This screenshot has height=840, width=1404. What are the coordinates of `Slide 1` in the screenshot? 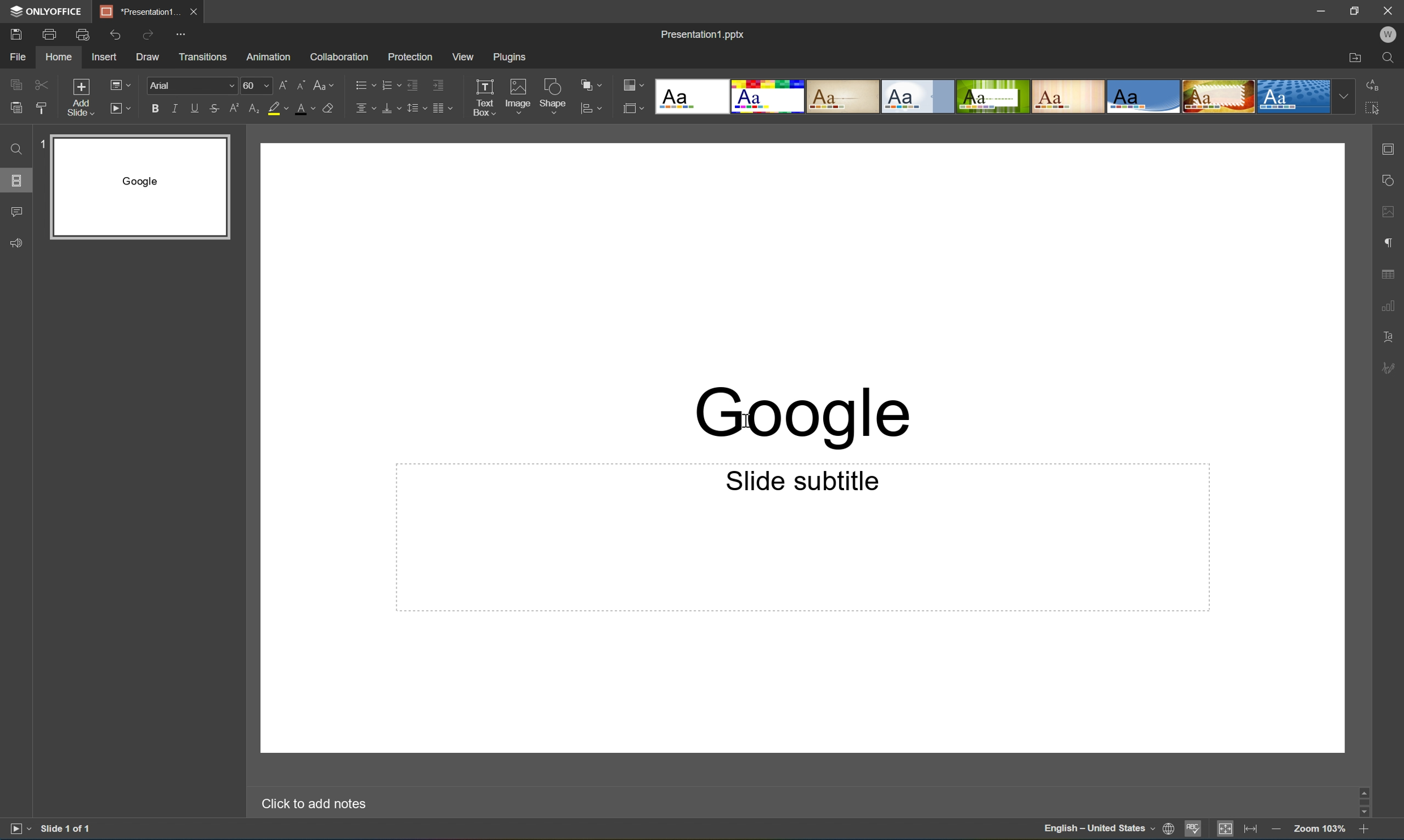 It's located at (132, 187).